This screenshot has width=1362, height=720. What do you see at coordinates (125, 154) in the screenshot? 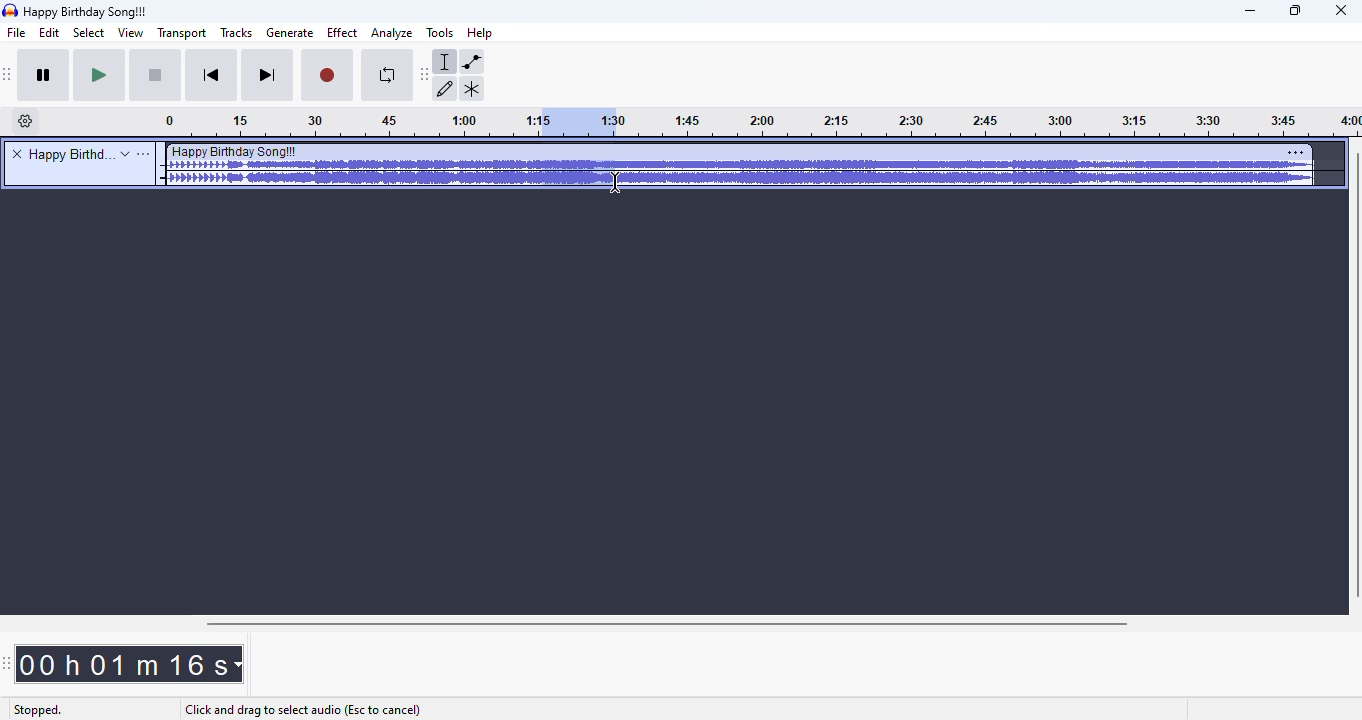
I see `expand` at bounding box center [125, 154].